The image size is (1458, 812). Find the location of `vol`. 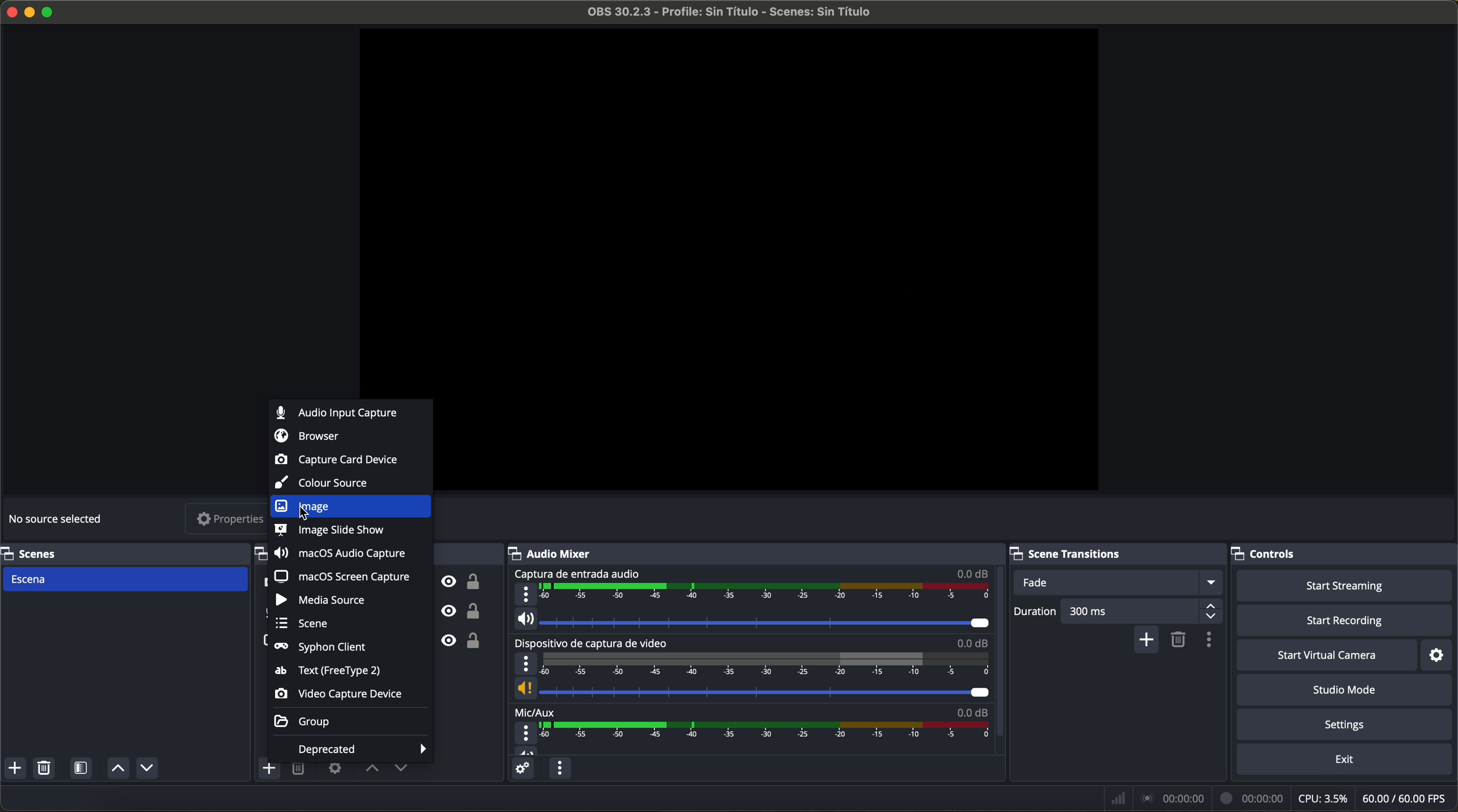

vol is located at coordinates (752, 619).